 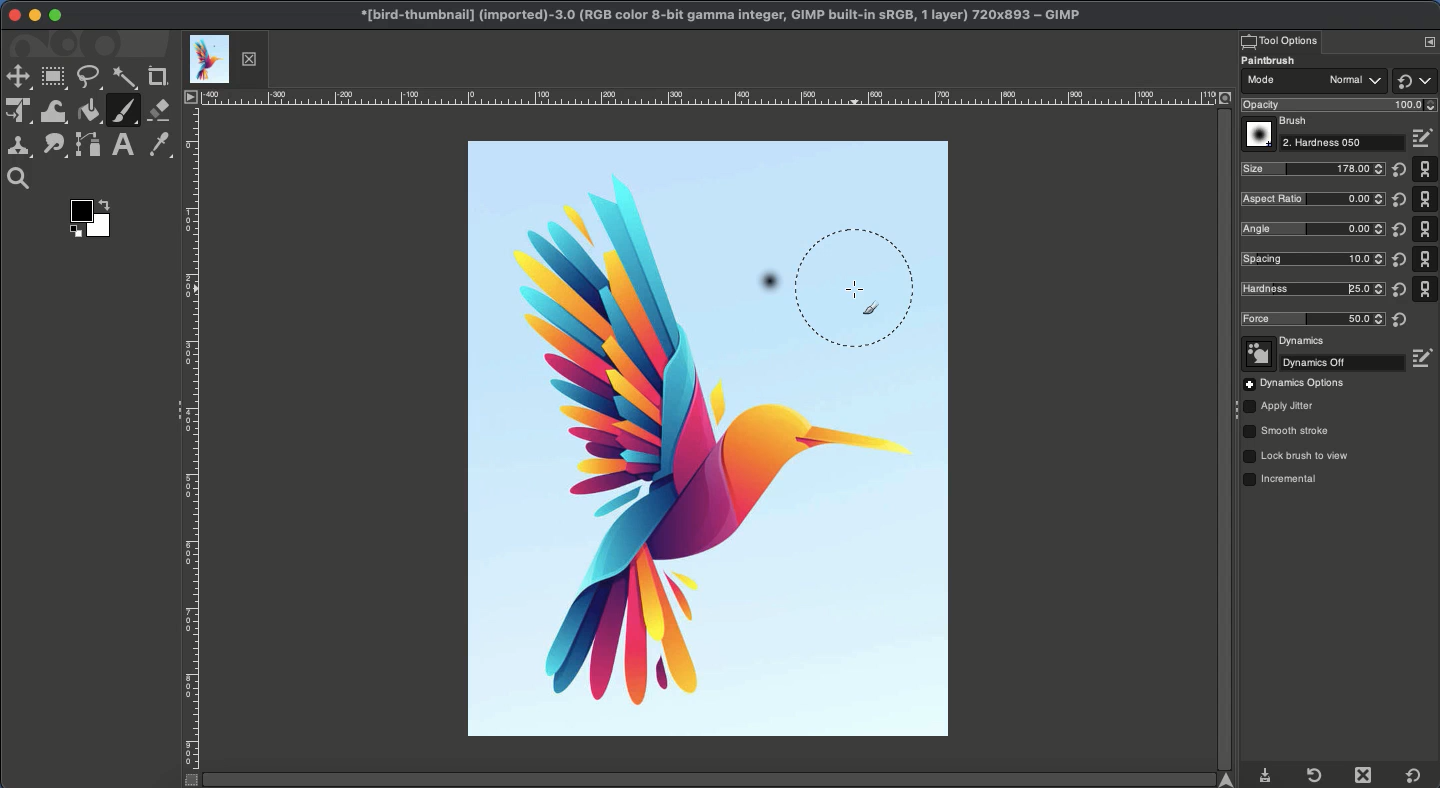 I want to click on Minimize, so click(x=34, y=15).